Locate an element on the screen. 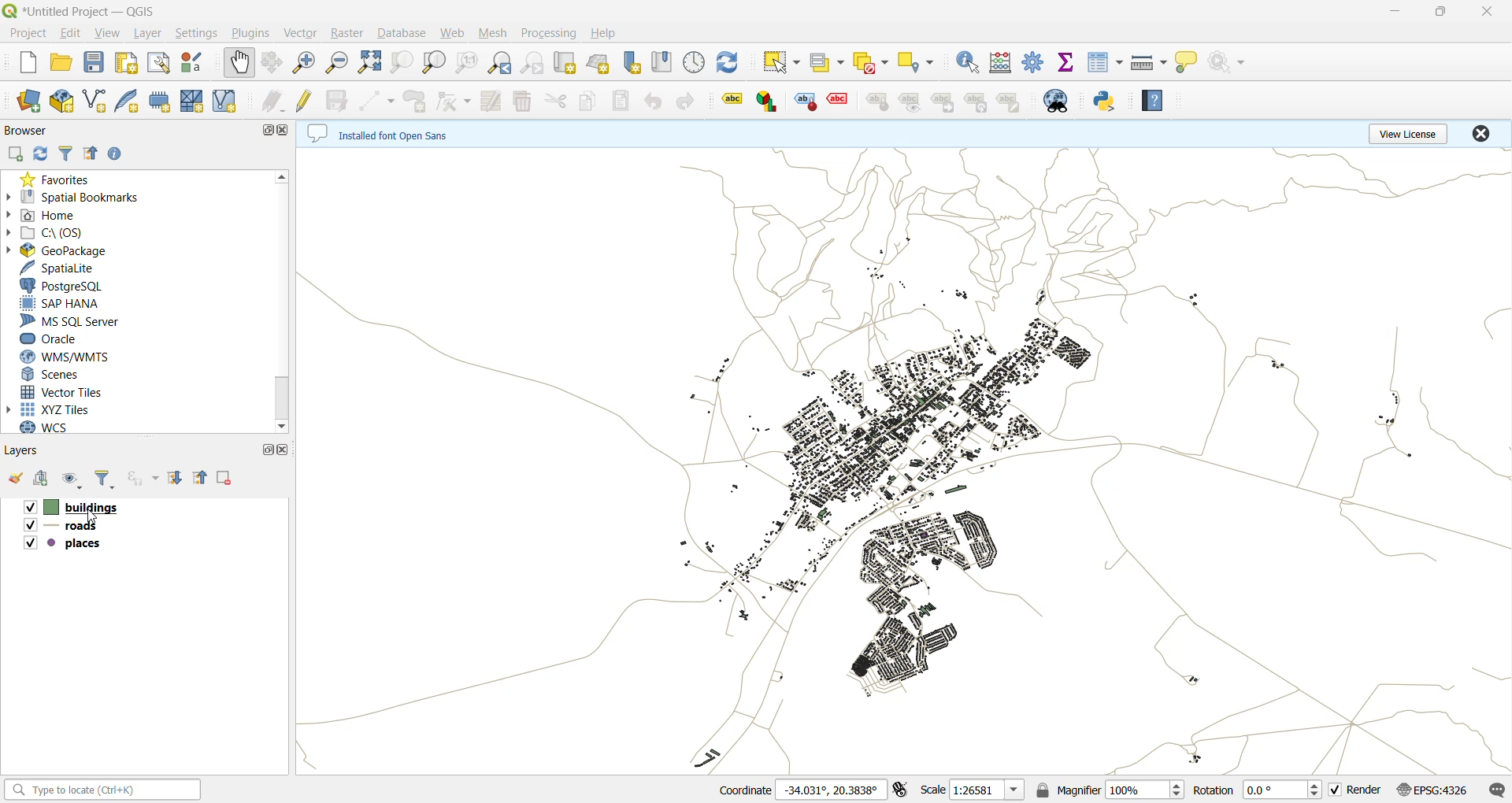 This screenshot has width=1512, height=803. pan to selection is located at coordinates (273, 62).